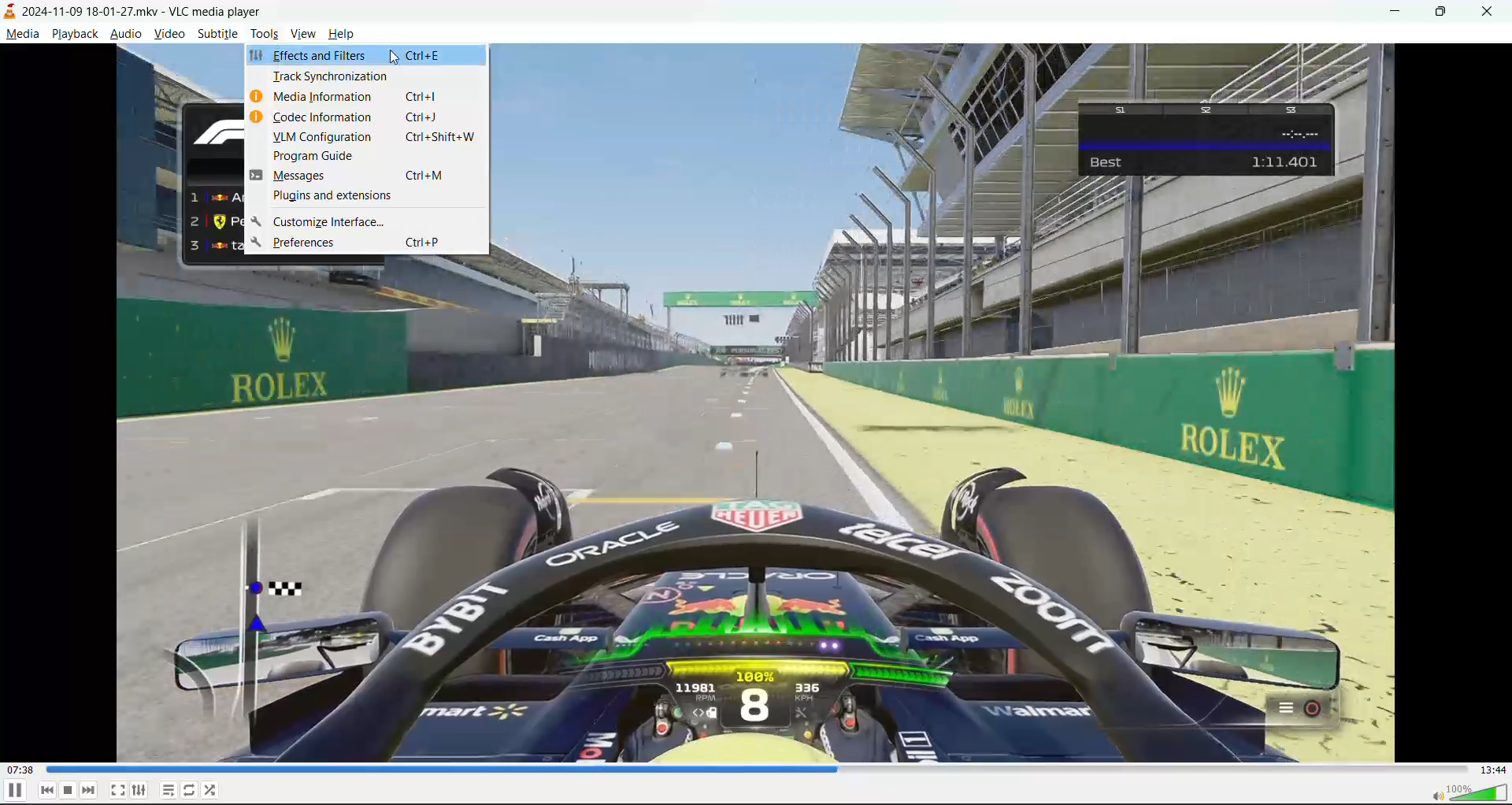 The height and width of the screenshot is (805, 1512). What do you see at coordinates (1493, 770) in the screenshot?
I see `total track time` at bounding box center [1493, 770].